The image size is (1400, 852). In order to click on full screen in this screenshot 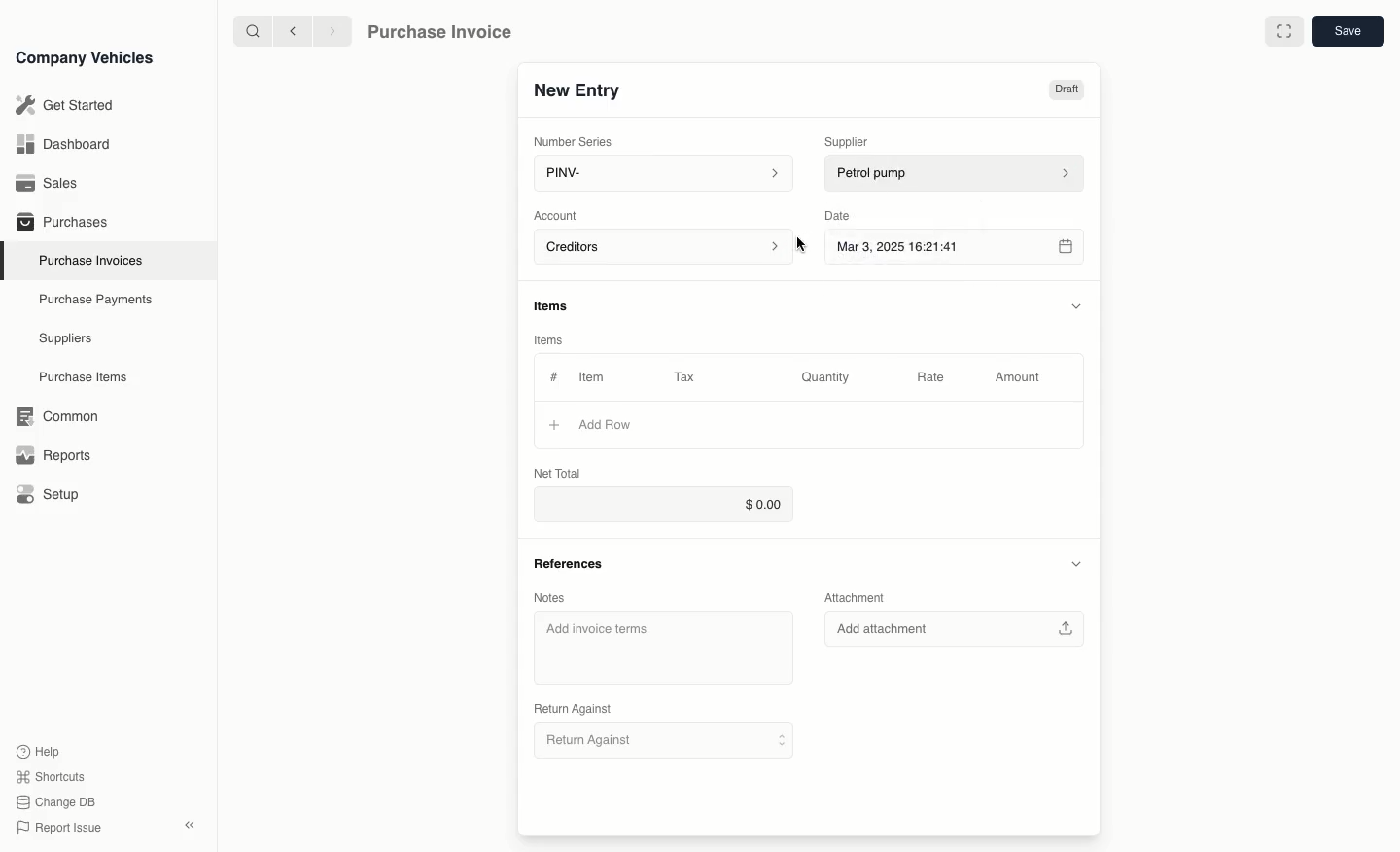, I will do `click(1283, 31)`.